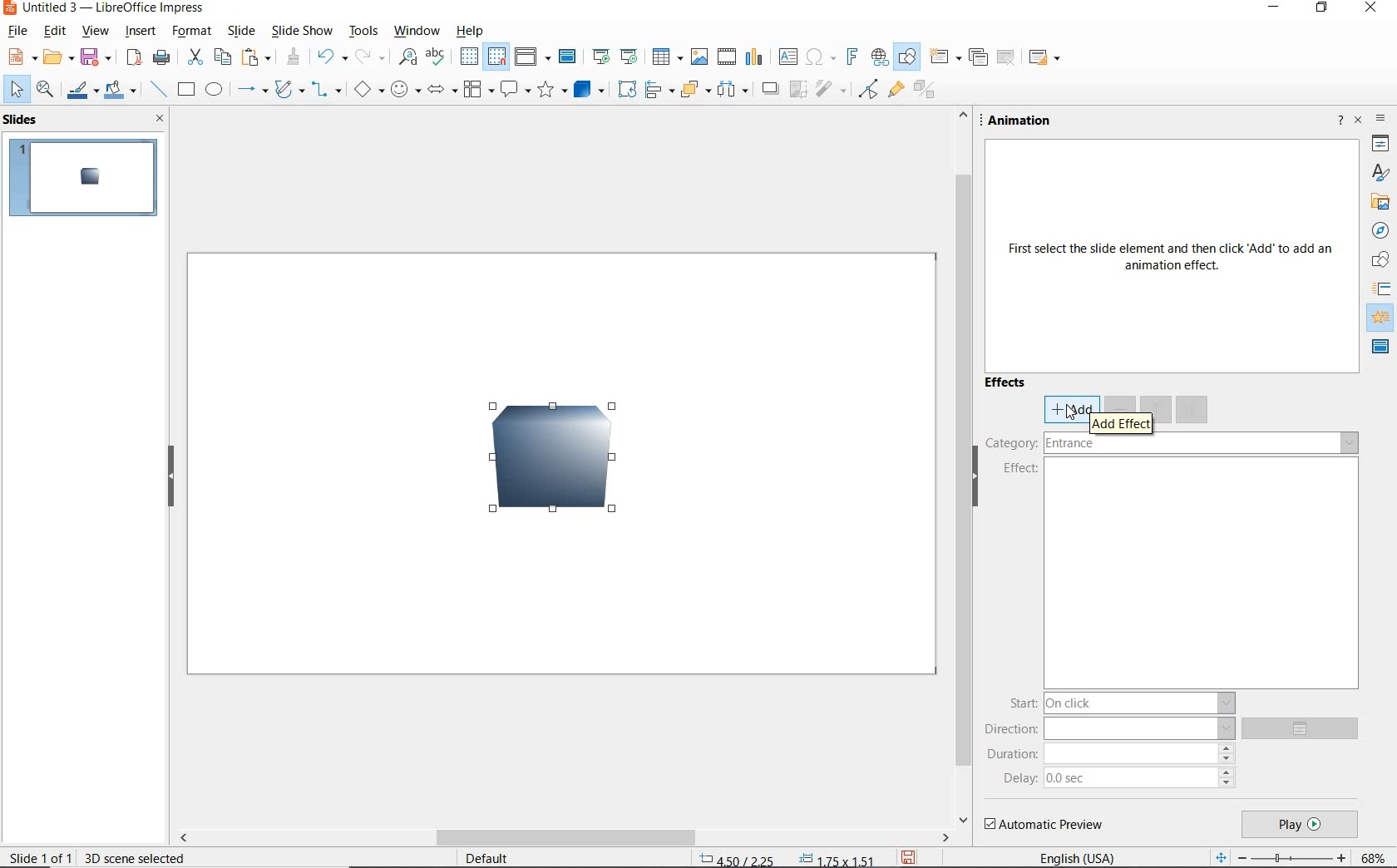 The width and height of the screenshot is (1397, 868). What do you see at coordinates (1375, 856) in the screenshot?
I see `zoom factor` at bounding box center [1375, 856].